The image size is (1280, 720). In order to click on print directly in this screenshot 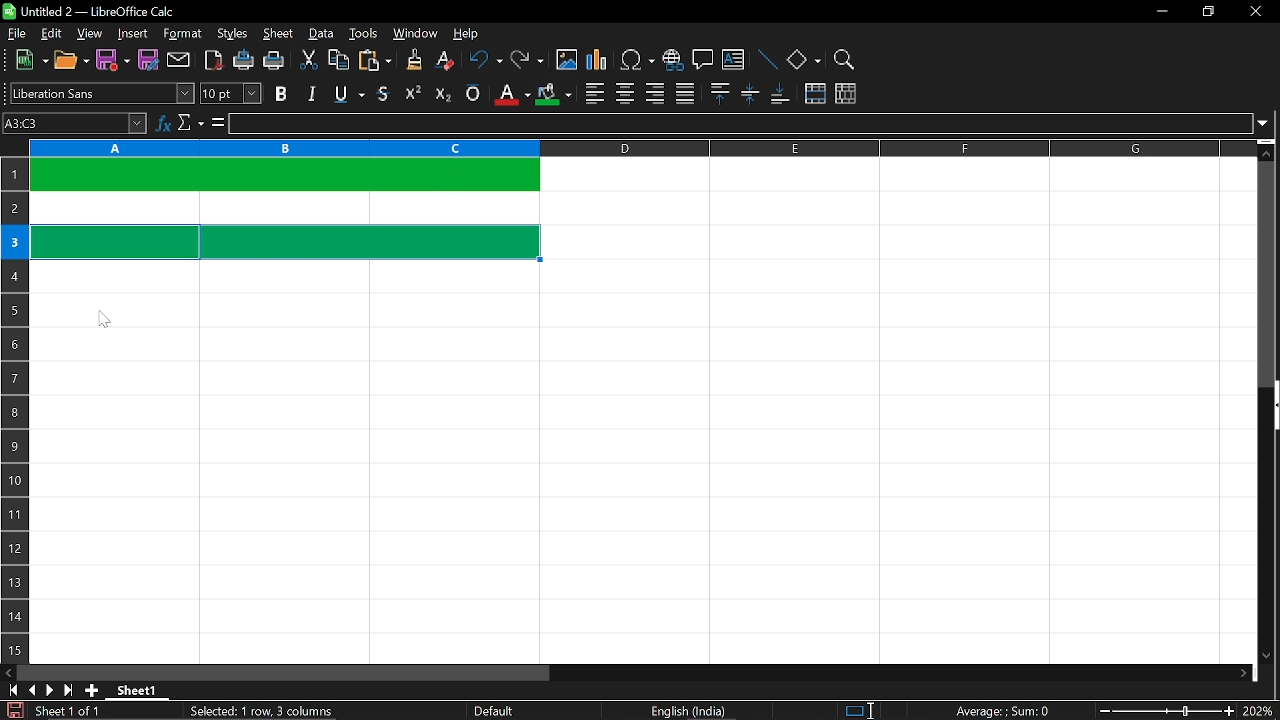, I will do `click(242, 61)`.